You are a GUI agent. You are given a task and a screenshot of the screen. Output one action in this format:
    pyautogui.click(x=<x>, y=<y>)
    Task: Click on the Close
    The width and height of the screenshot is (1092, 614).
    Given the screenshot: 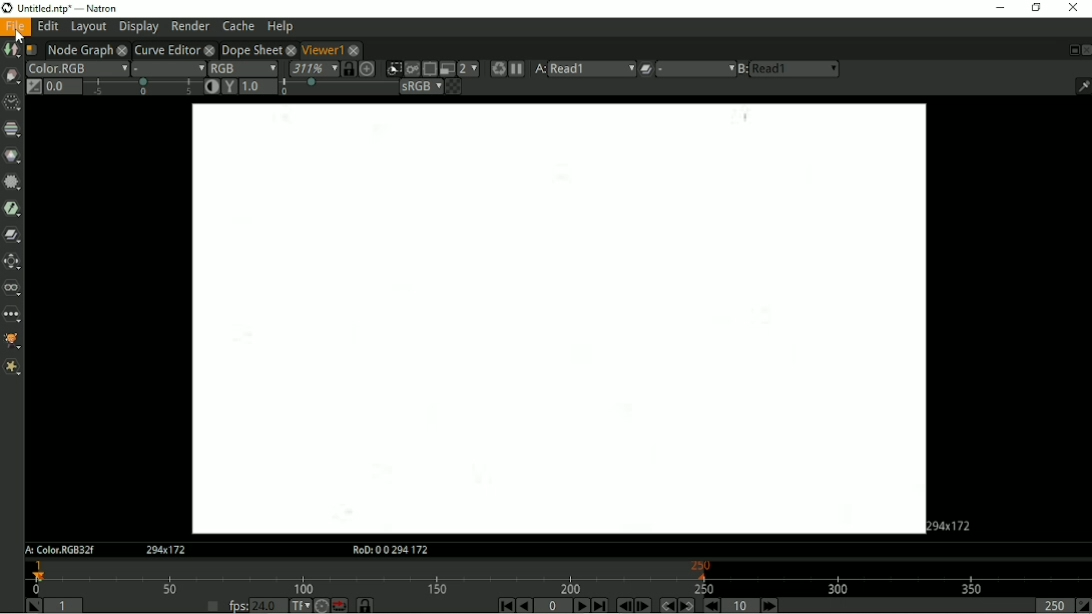 What is the action you would take?
    pyautogui.click(x=1073, y=8)
    